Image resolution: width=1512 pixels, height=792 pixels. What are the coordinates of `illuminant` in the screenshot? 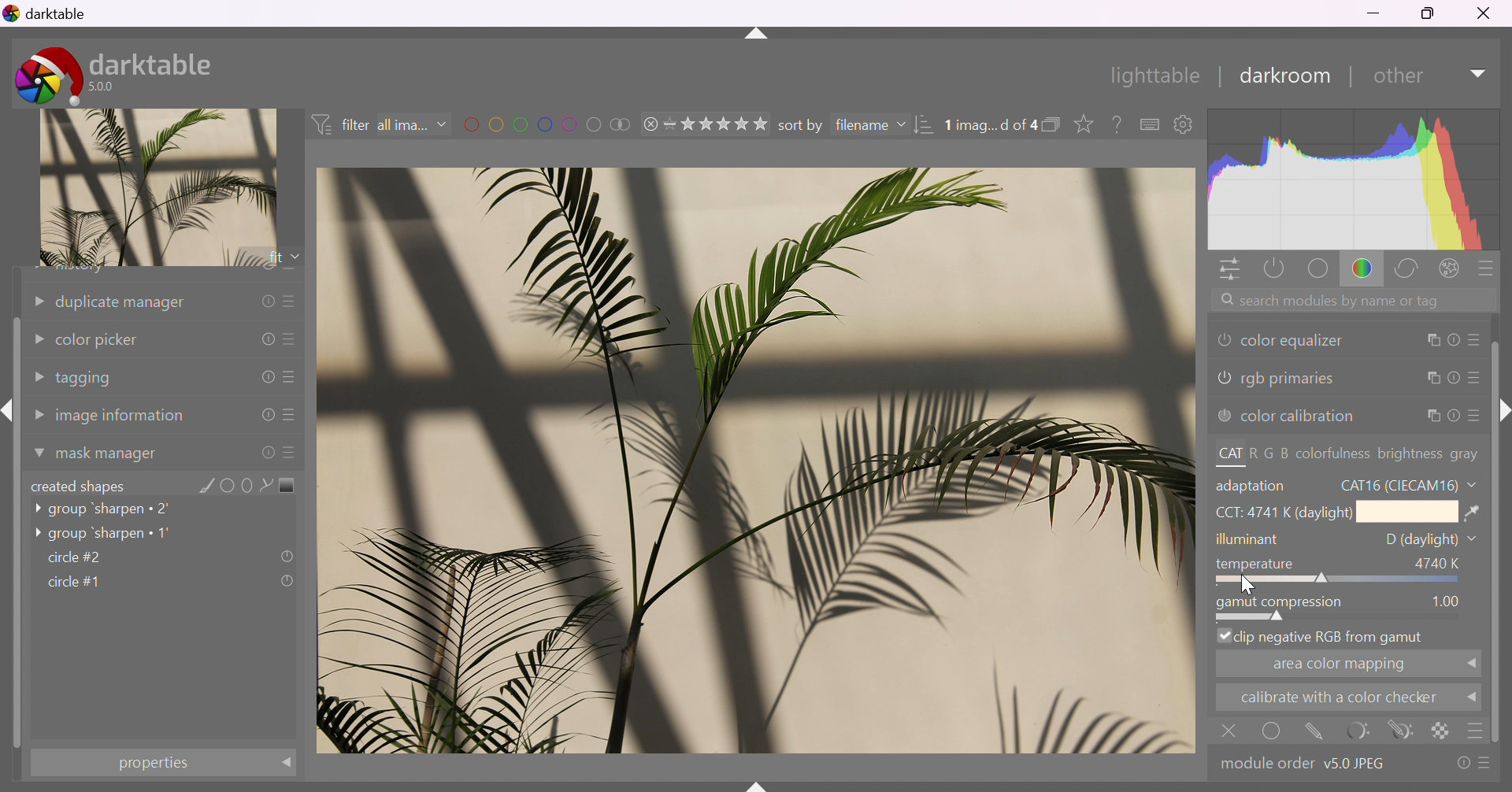 It's located at (1346, 540).